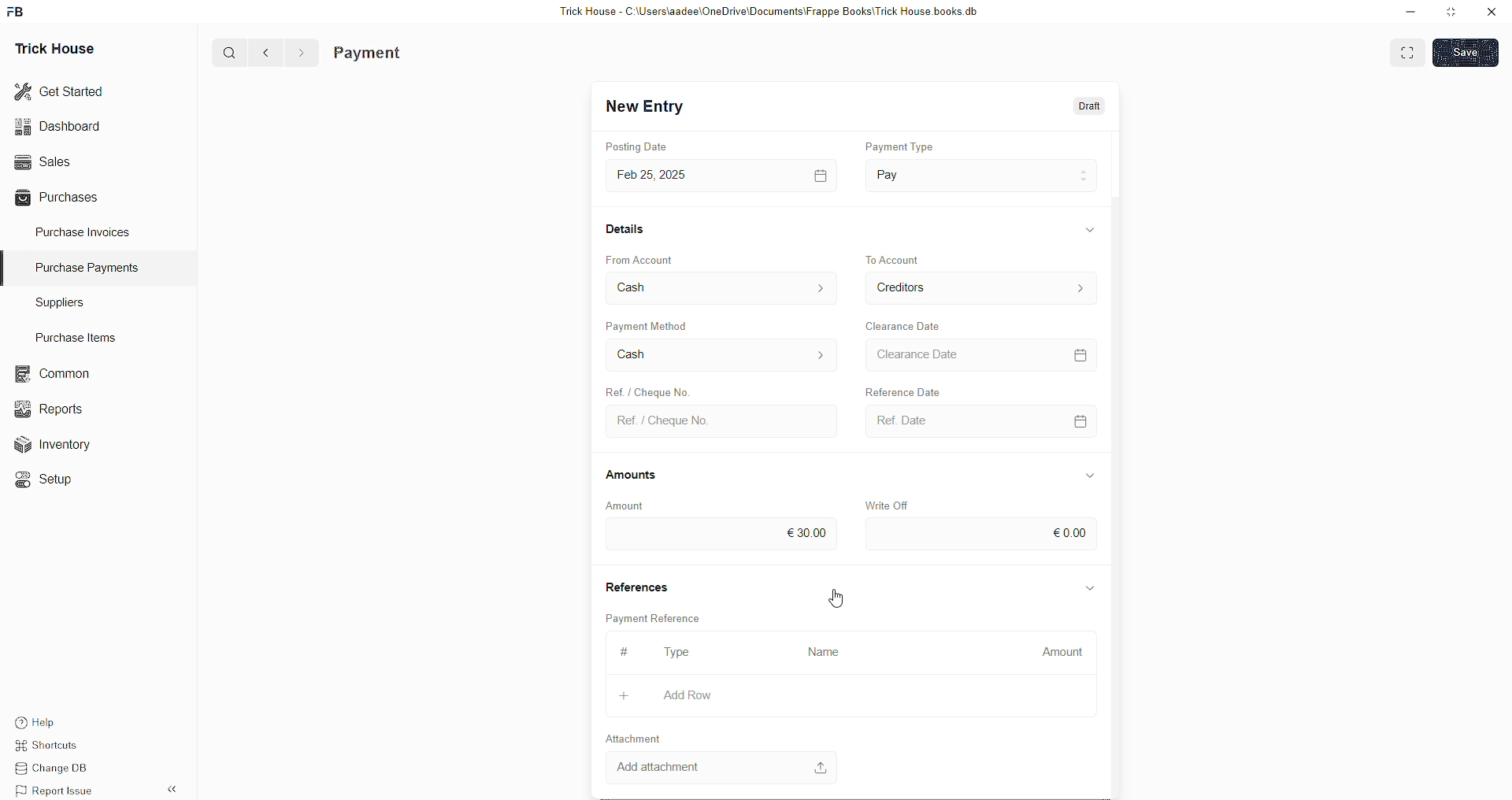 This screenshot has width=1512, height=800. Describe the element at coordinates (60, 90) in the screenshot. I see ` Get Started` at that location.